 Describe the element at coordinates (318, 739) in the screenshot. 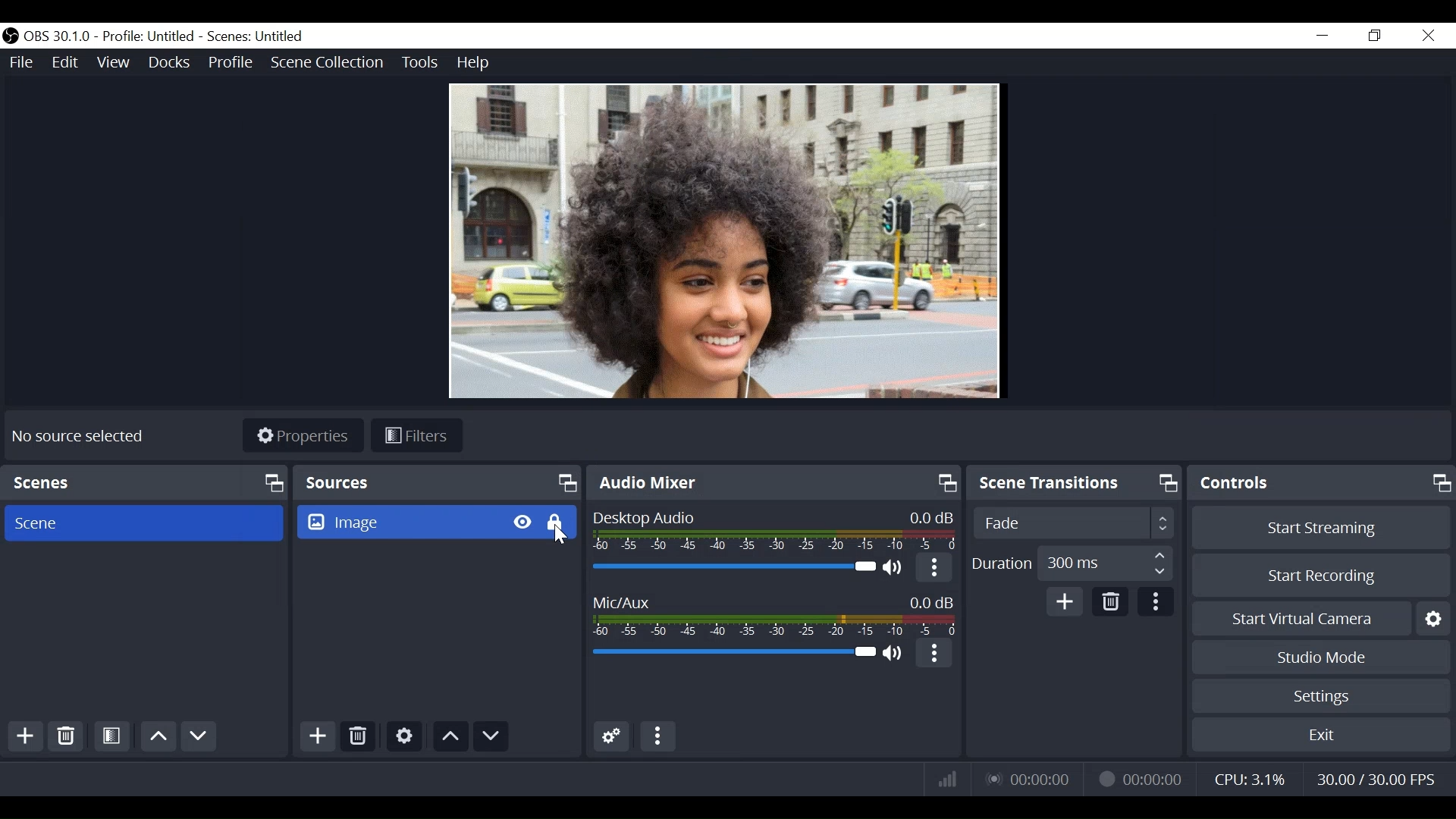

I see `Add ` at that location.